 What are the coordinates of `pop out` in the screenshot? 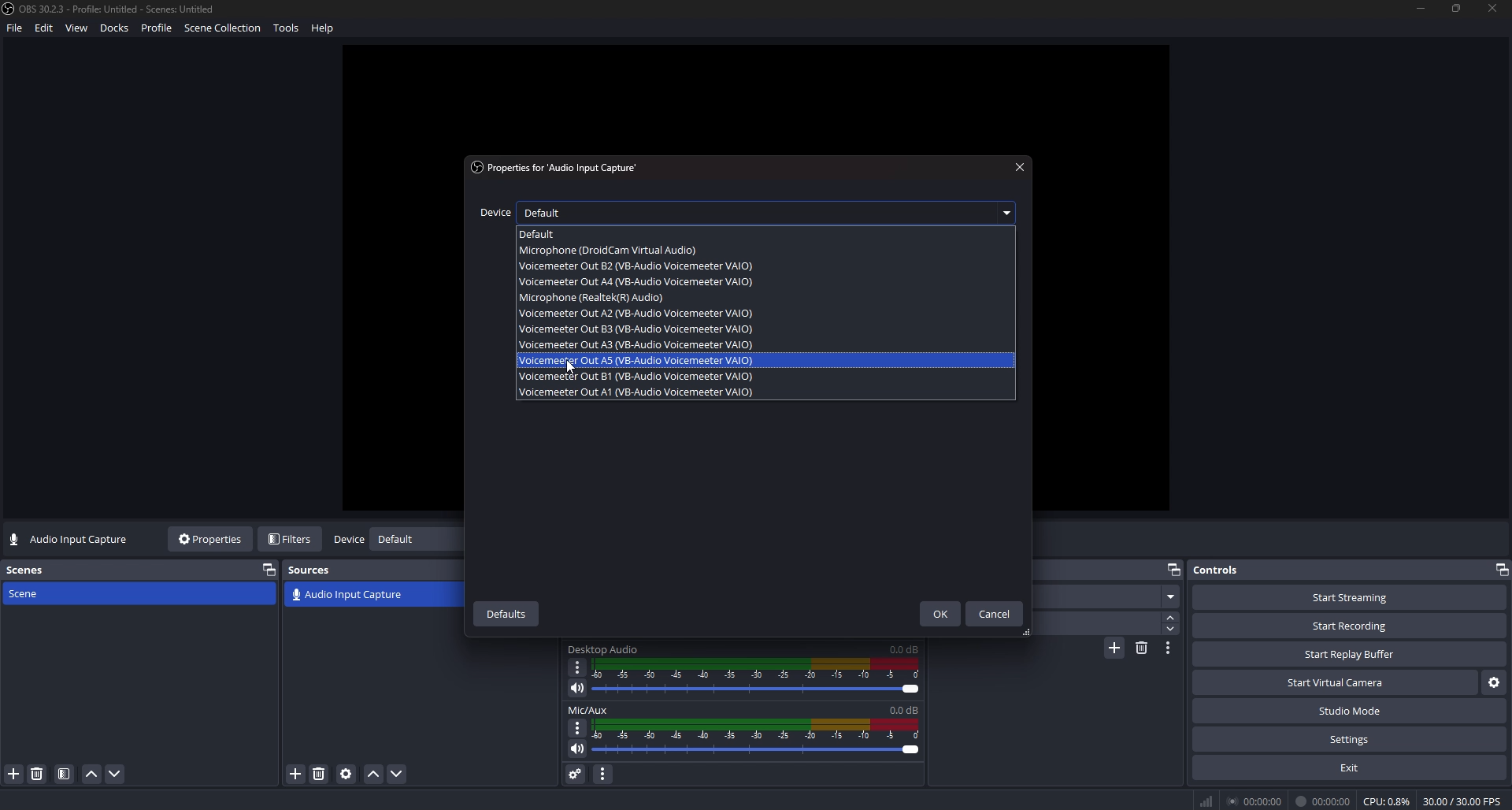 It's located at (1174, 568).